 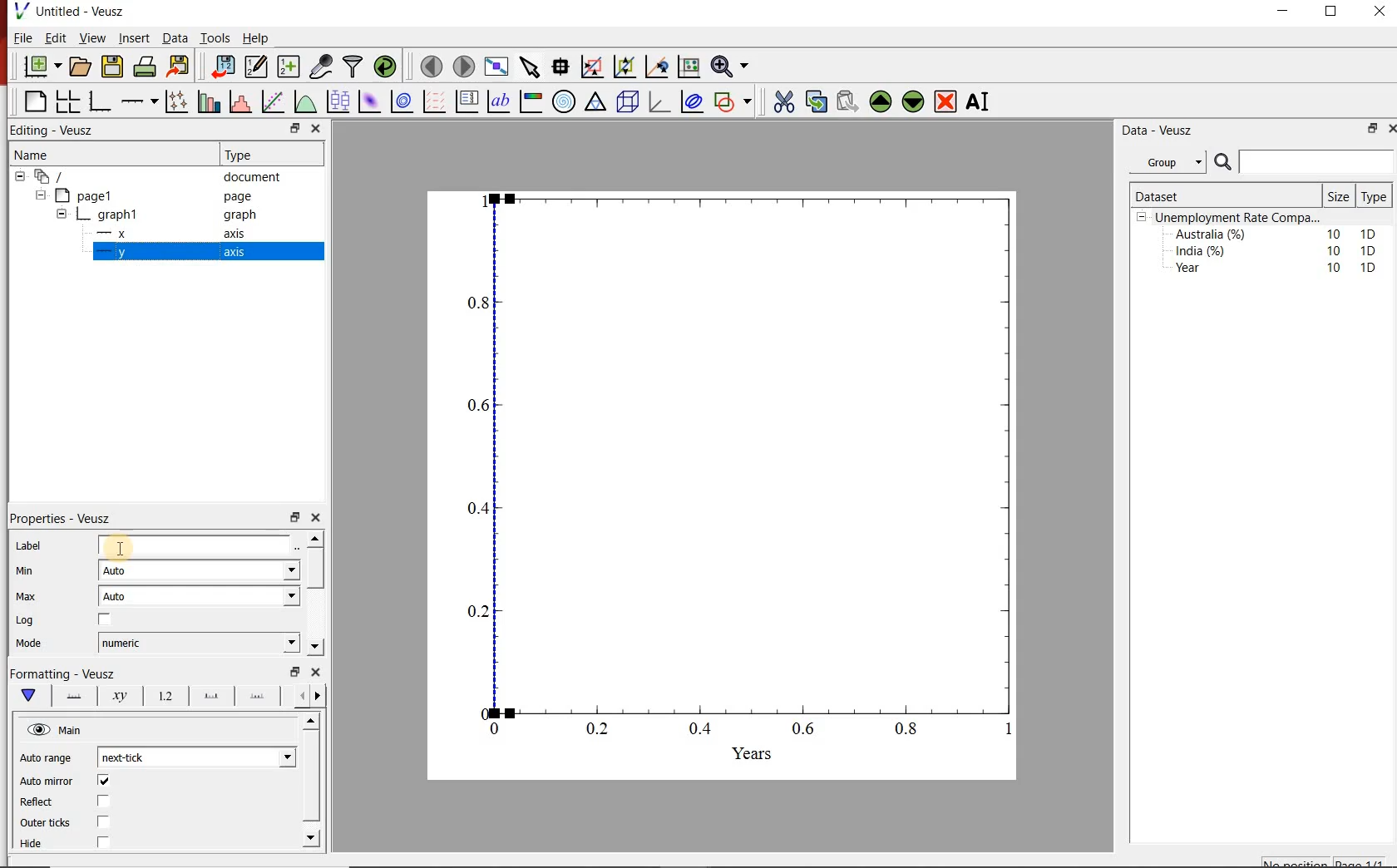 I want to click on paste the widgets, so click(x=848, y=101).